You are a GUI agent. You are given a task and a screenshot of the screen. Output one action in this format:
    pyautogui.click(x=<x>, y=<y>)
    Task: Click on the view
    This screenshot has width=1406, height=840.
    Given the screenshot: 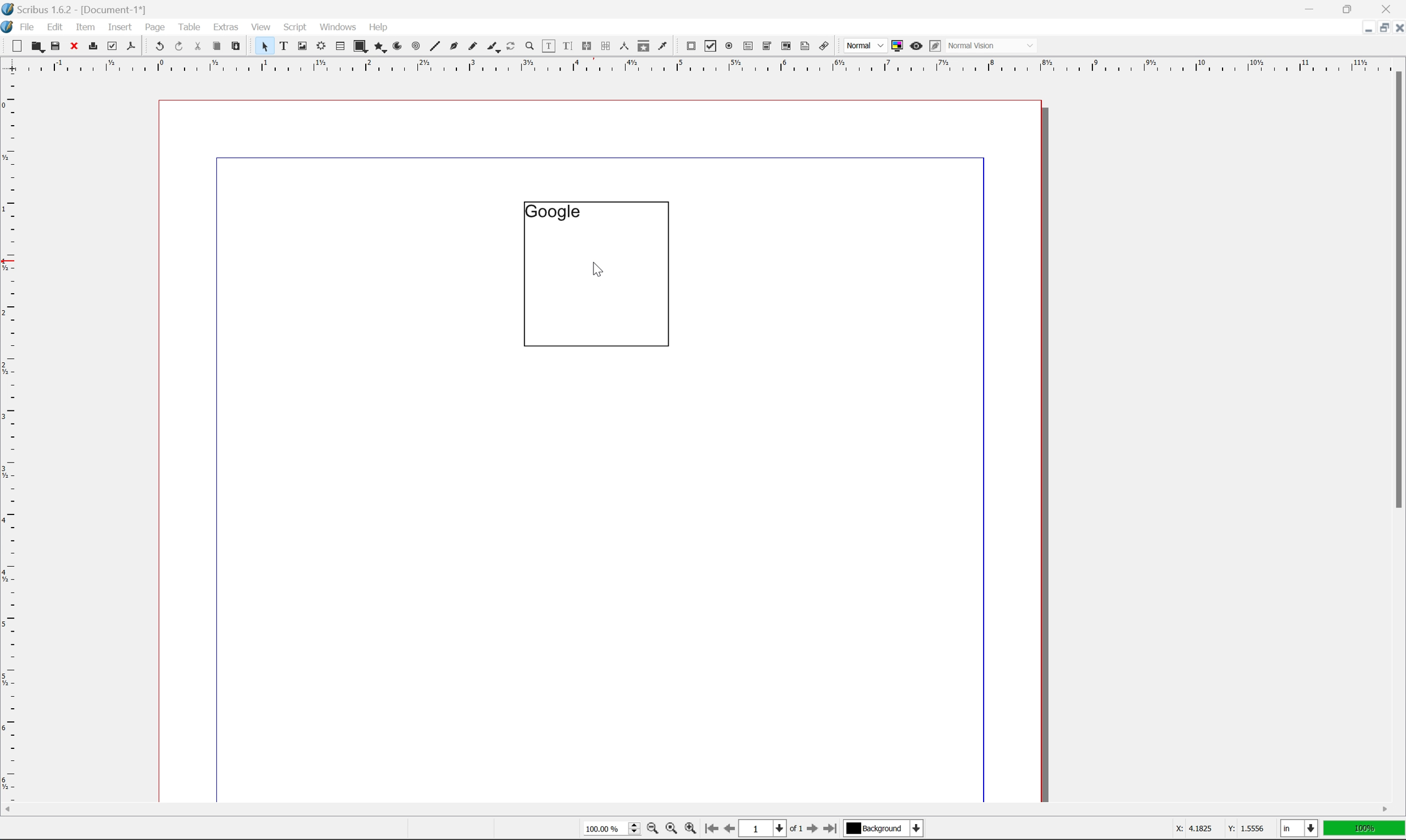 What is the action you would take?
    pyautogui.click(x=263, y=26)
    